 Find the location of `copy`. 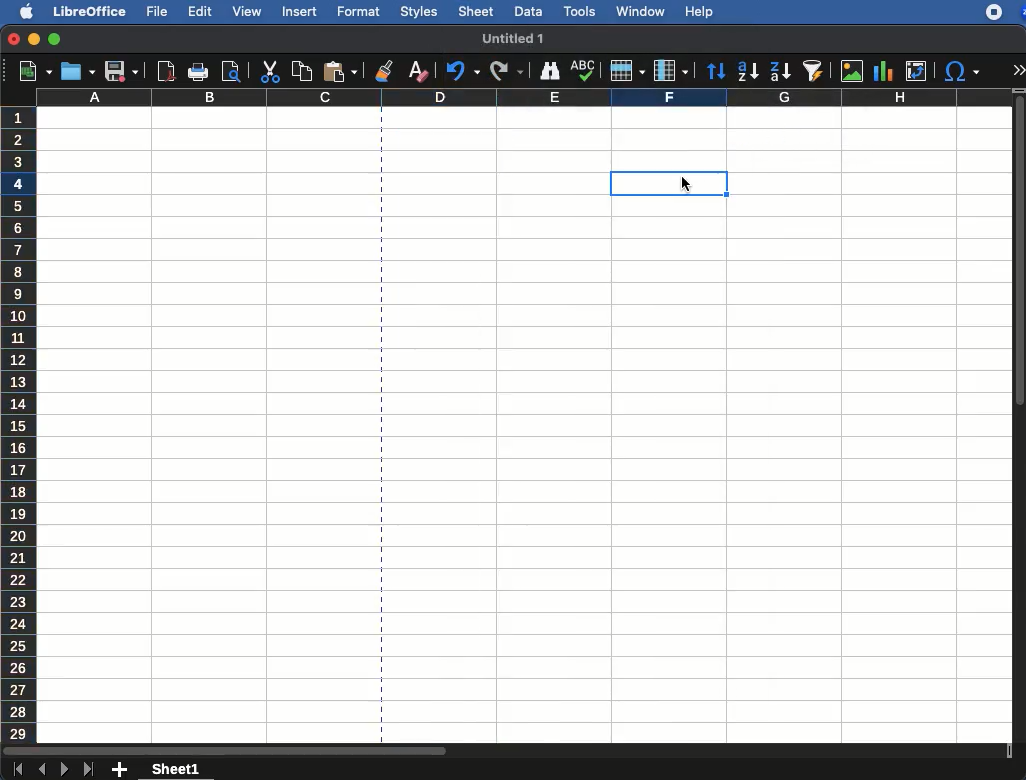

copy is located at coordinates (299, 71).